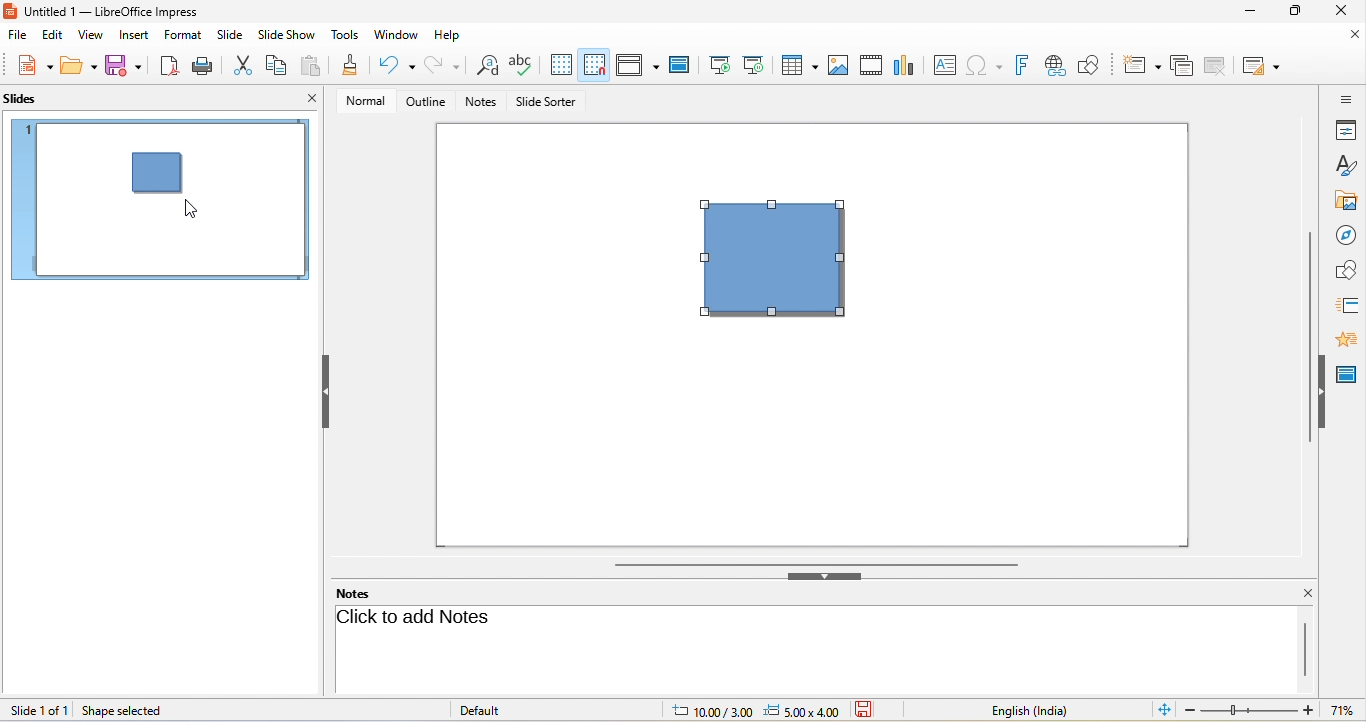 The image size is (1366, 722). I want to click on maximize, so click(1295, 12).